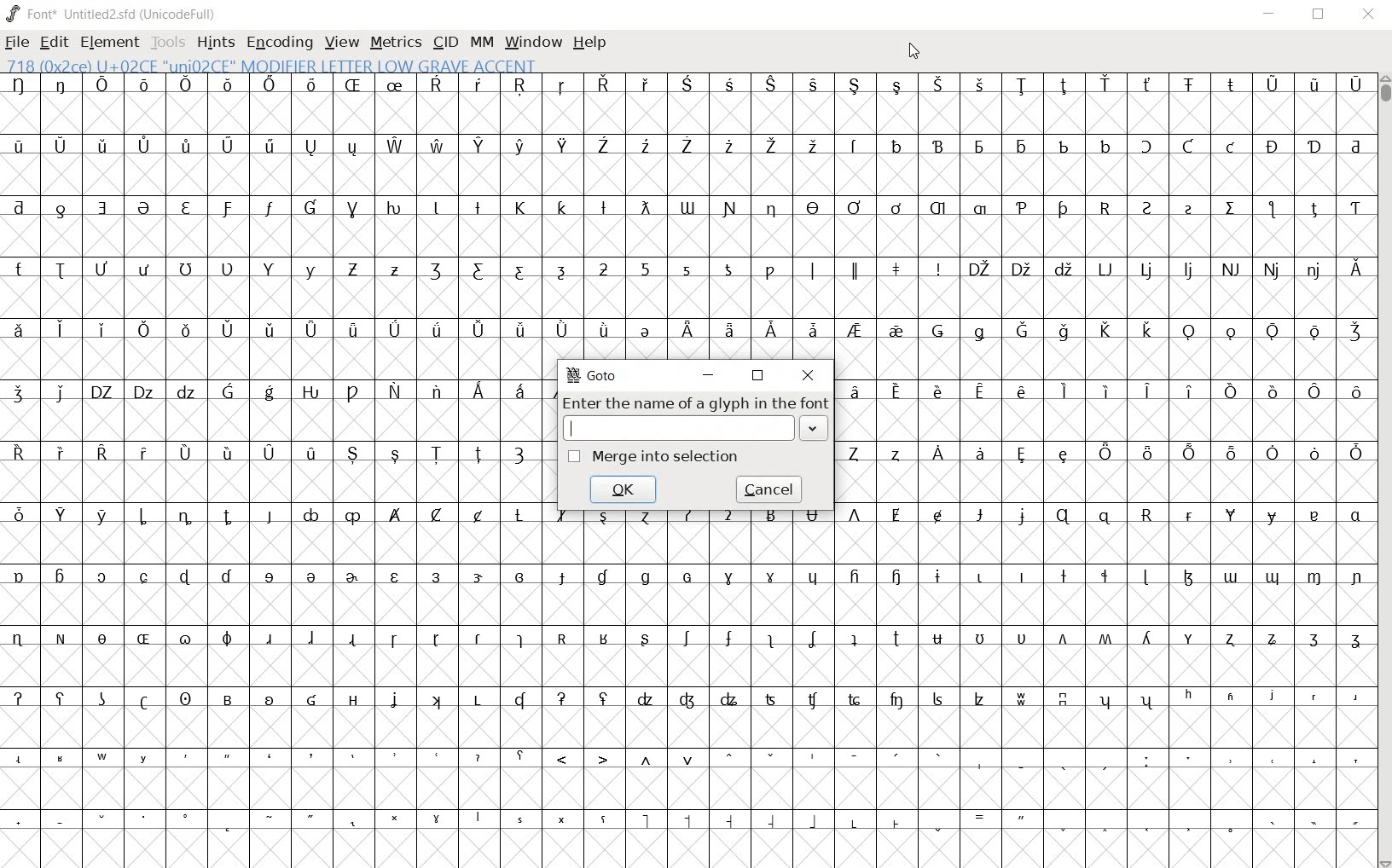 The height and width of the screenshot is (868, 1392). What do you see at coordinates (342, 43) in the screenshot?
I see `view` at bounding box center [342, 43].